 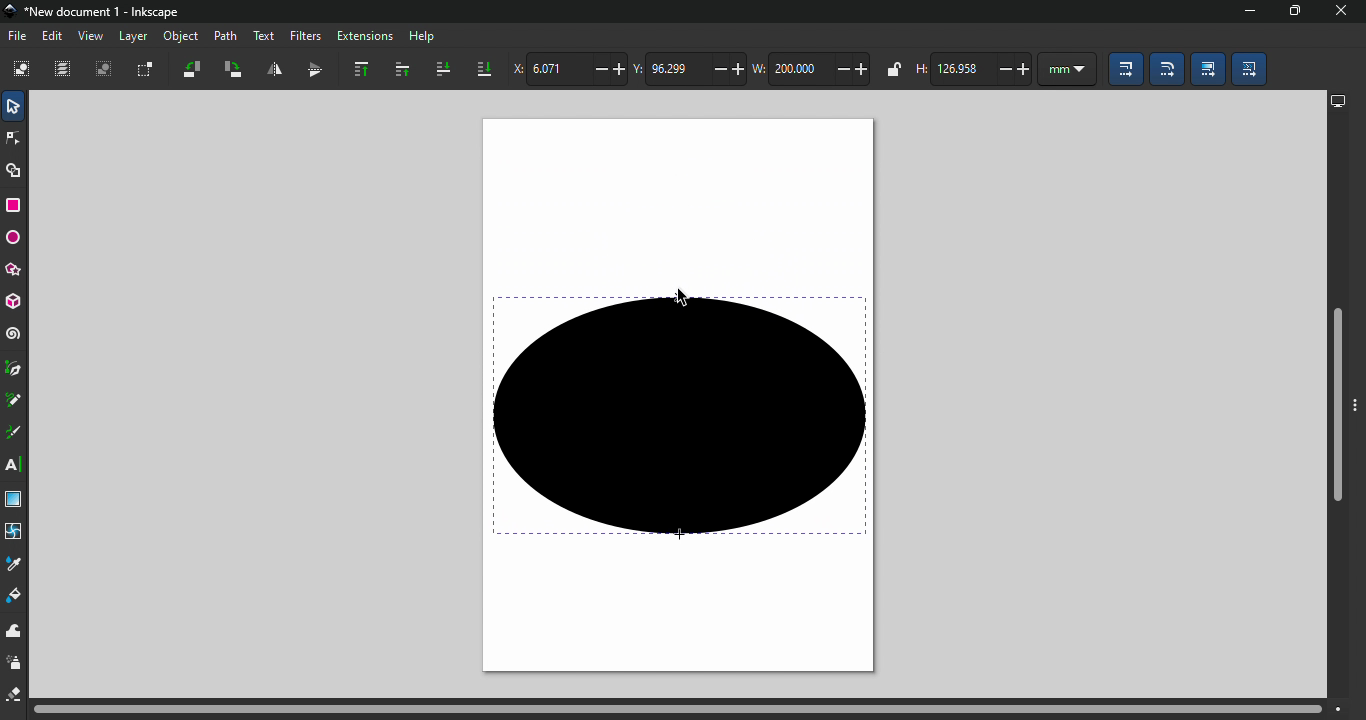 What do you see at coordinates (274, 69) in the screenshot?
I see `Object flip horizontal` at bounding box center [274, 69].